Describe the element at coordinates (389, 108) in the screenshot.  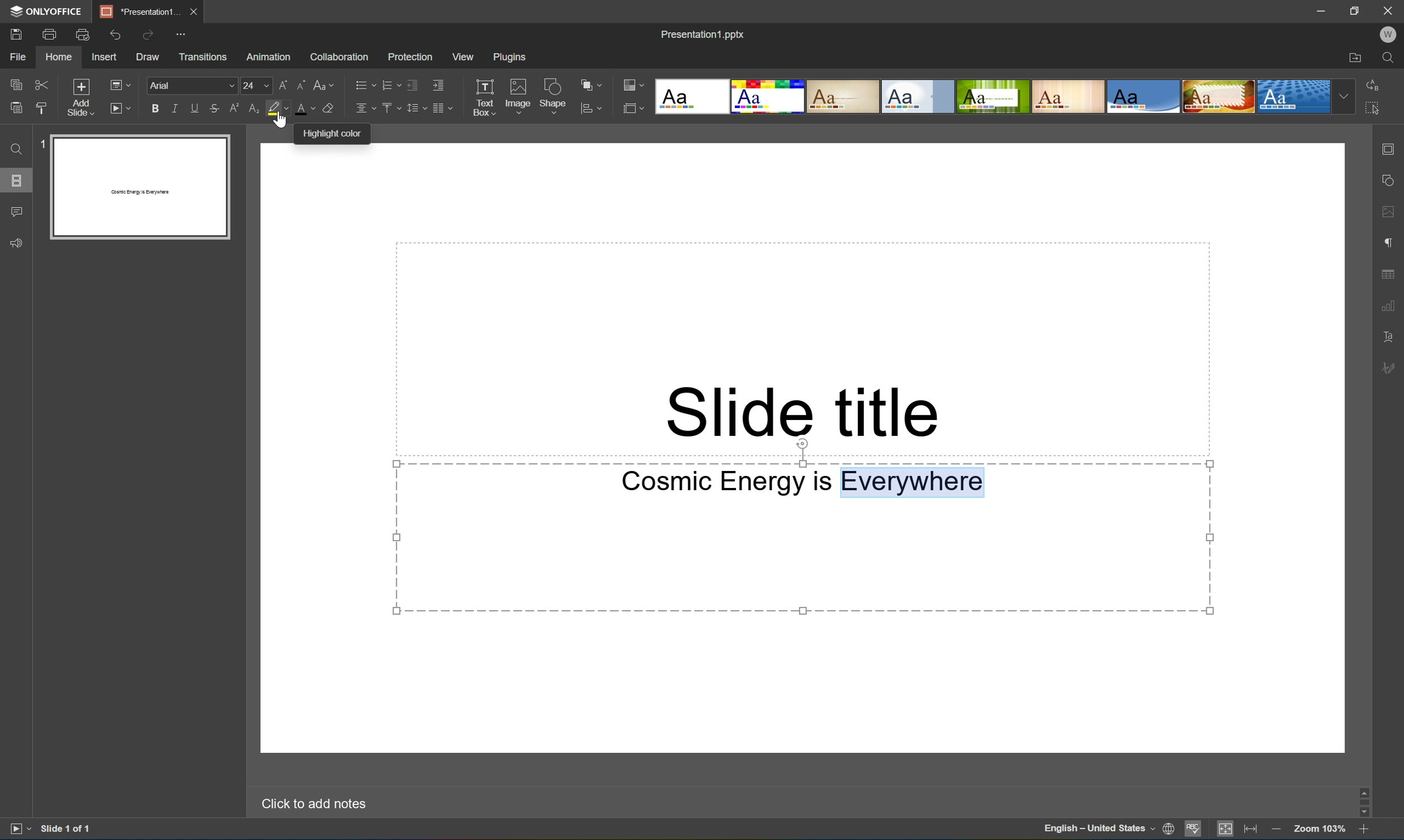
I see `Align Vertical` at that location.